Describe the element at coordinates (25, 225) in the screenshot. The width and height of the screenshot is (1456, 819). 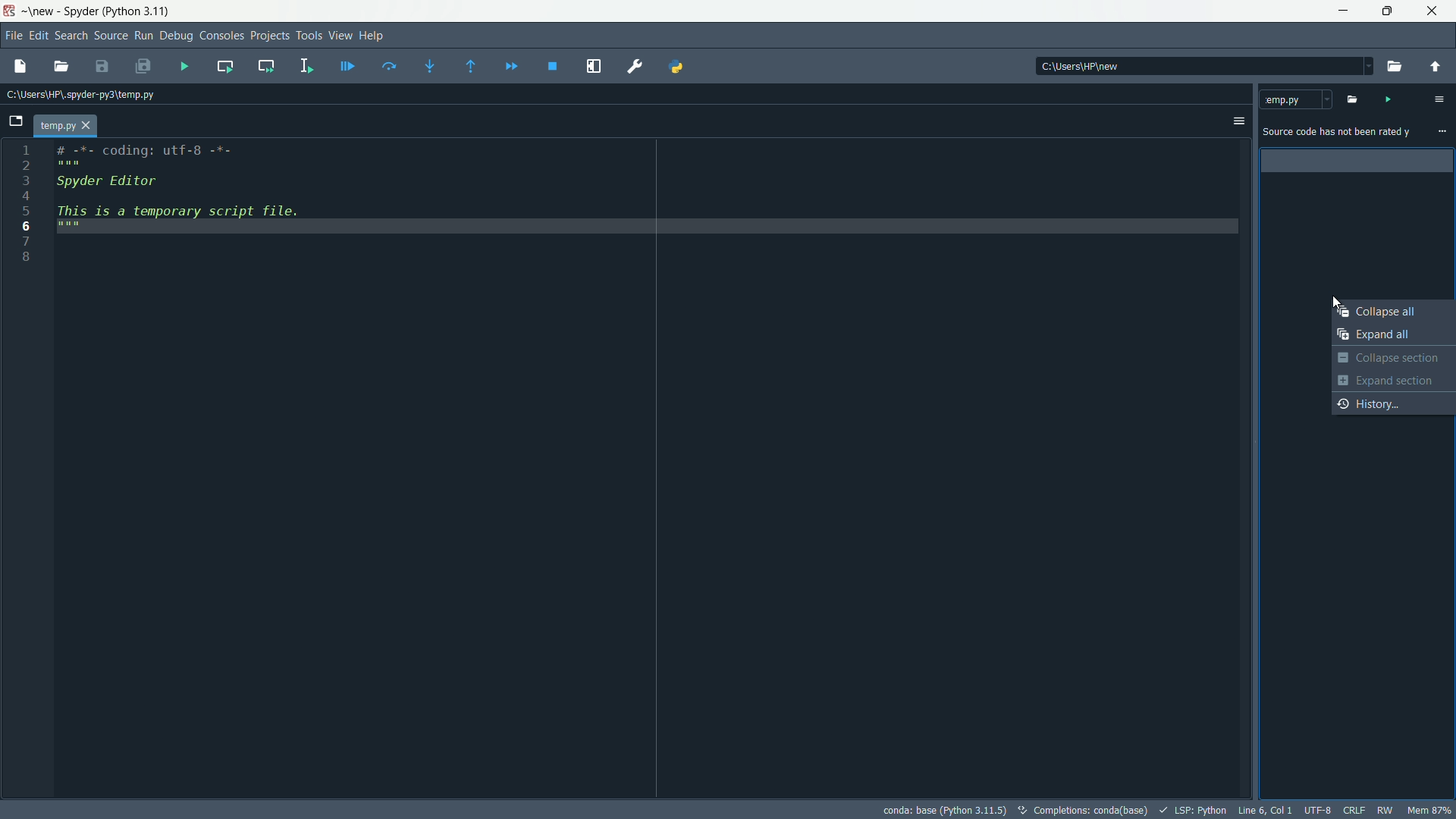
I see `6` at that location.